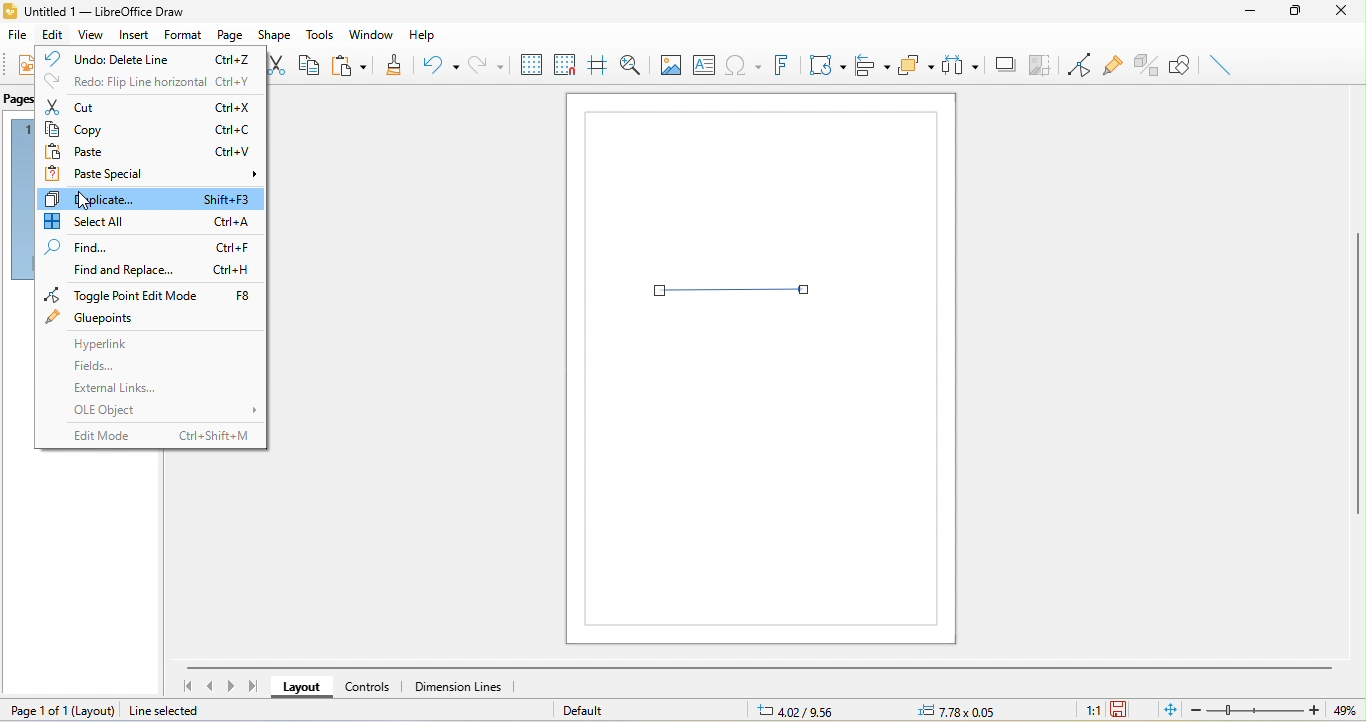  What do you see at coordinates (441, 67) in the screenshot?
I see `undo` at bounding box center [441, 67].